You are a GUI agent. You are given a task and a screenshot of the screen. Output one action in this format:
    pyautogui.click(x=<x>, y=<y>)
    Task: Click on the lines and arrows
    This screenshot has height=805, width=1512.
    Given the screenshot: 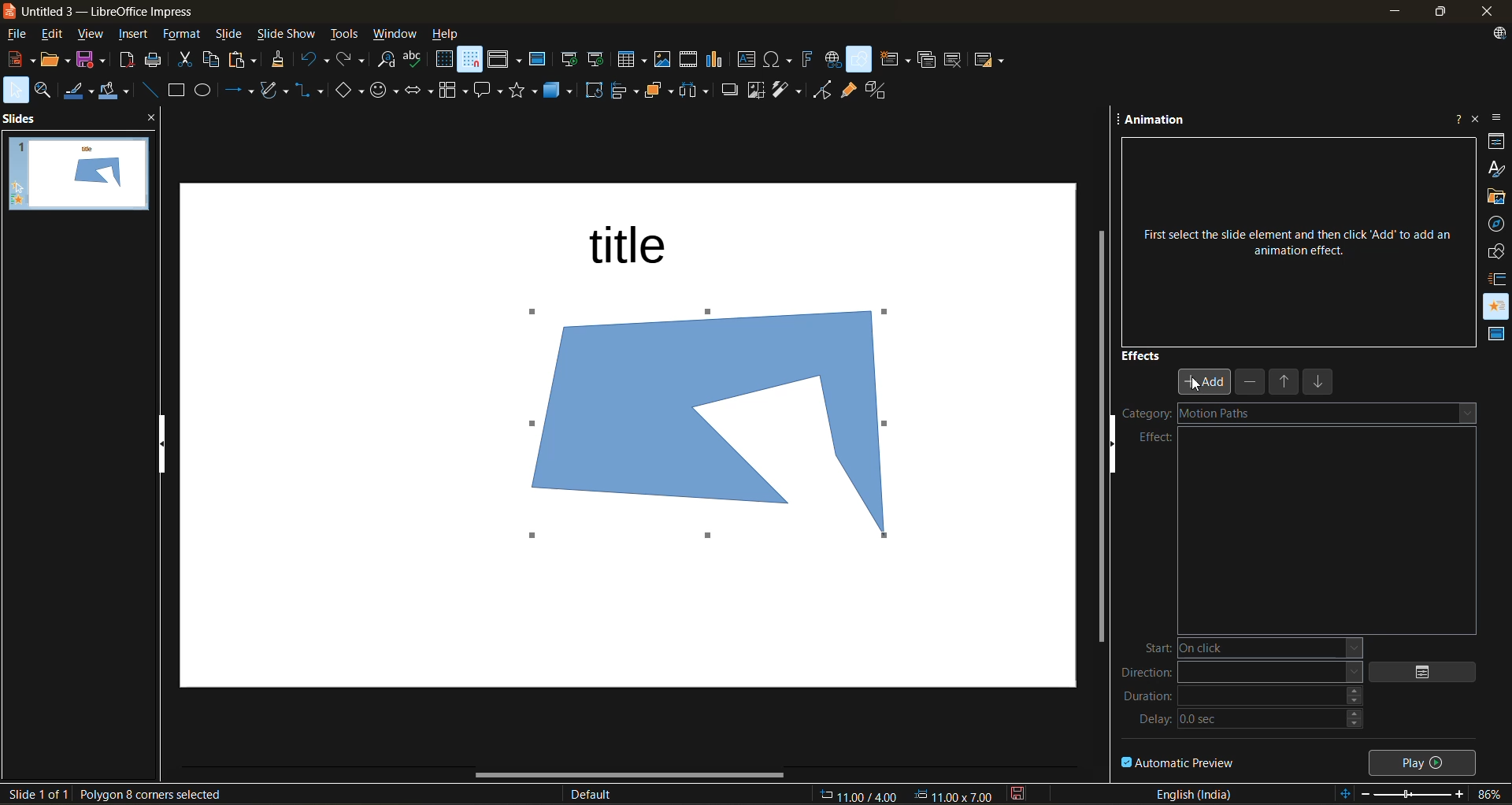 What is the action you would take?
    pyautogui.click(x=236, y=91)
    